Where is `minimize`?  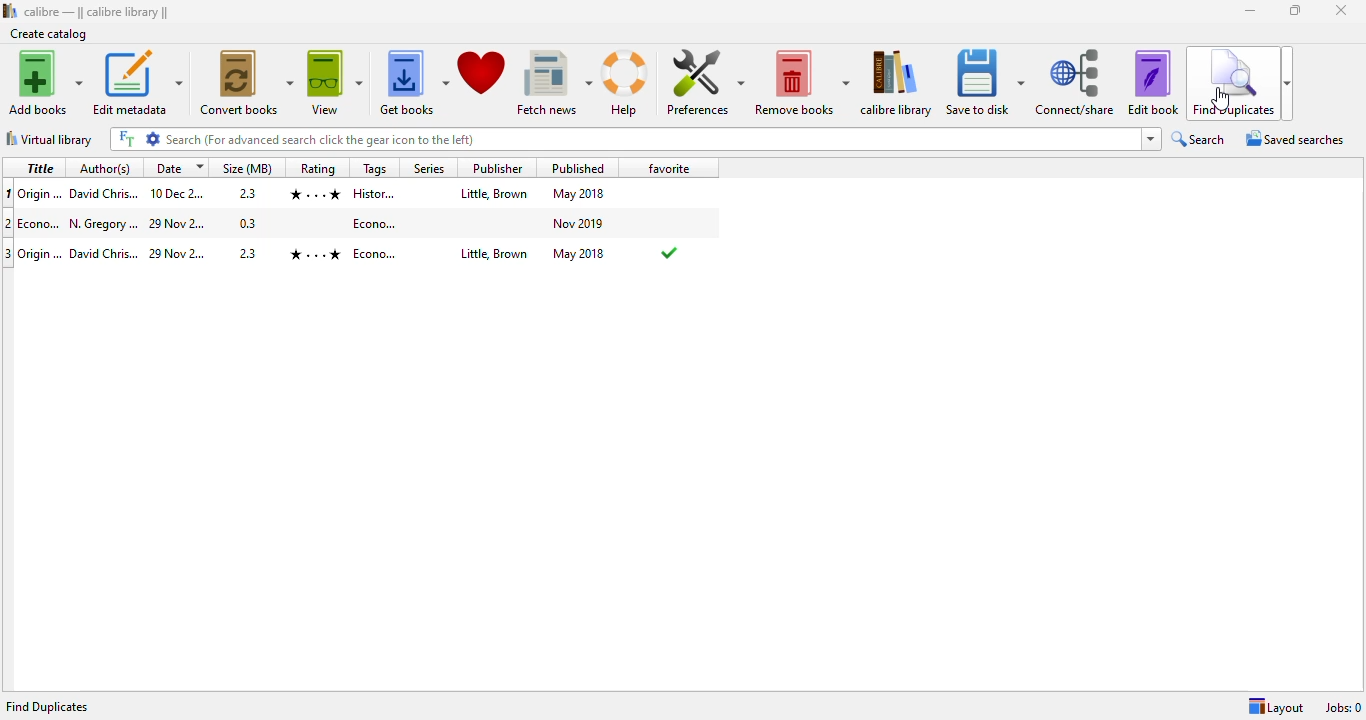 minimize is located at coordinates (1251, 11).